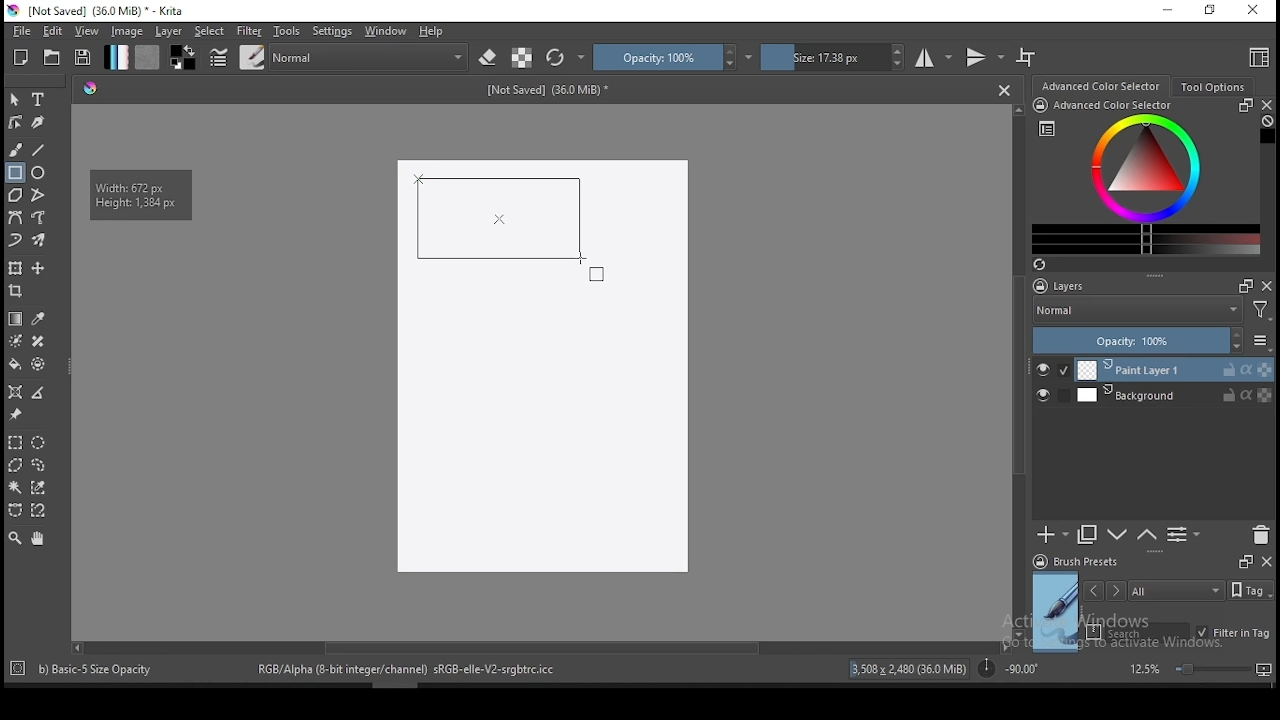 Image resolution: width=1280 pixels, height=720 pixels. I want to click on contiguous selection tool, so click(16, 489).